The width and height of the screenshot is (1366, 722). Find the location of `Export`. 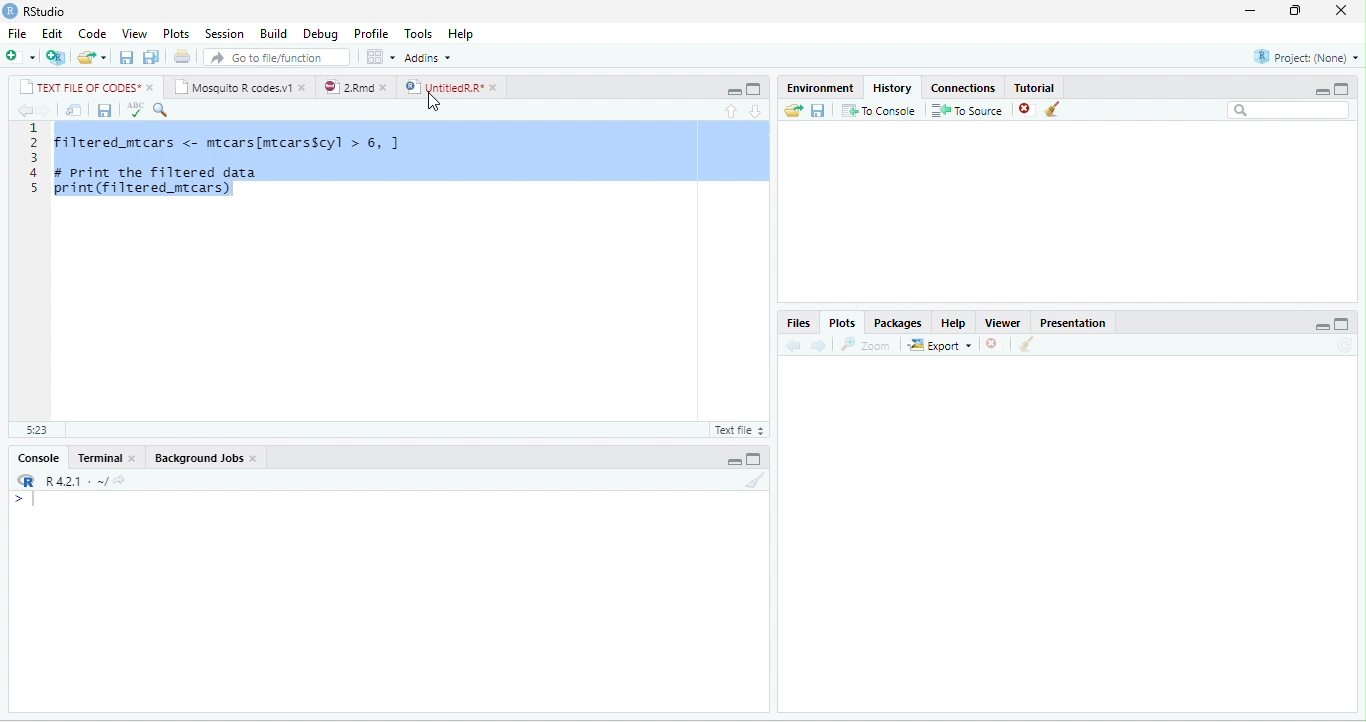

Export is located at coordinates (939, 345).